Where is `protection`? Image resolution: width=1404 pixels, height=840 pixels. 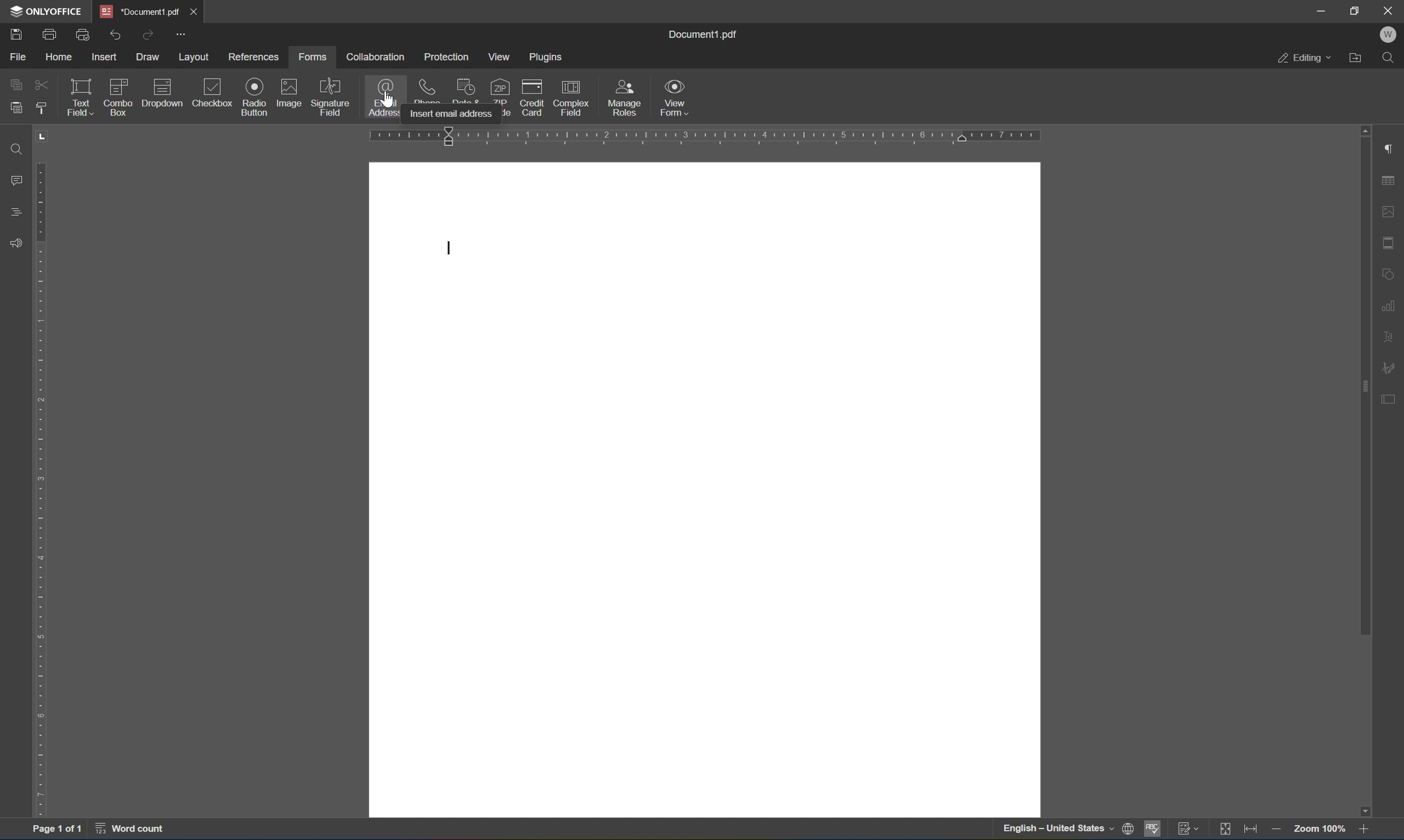 protection is located at coordinates (446, 57).